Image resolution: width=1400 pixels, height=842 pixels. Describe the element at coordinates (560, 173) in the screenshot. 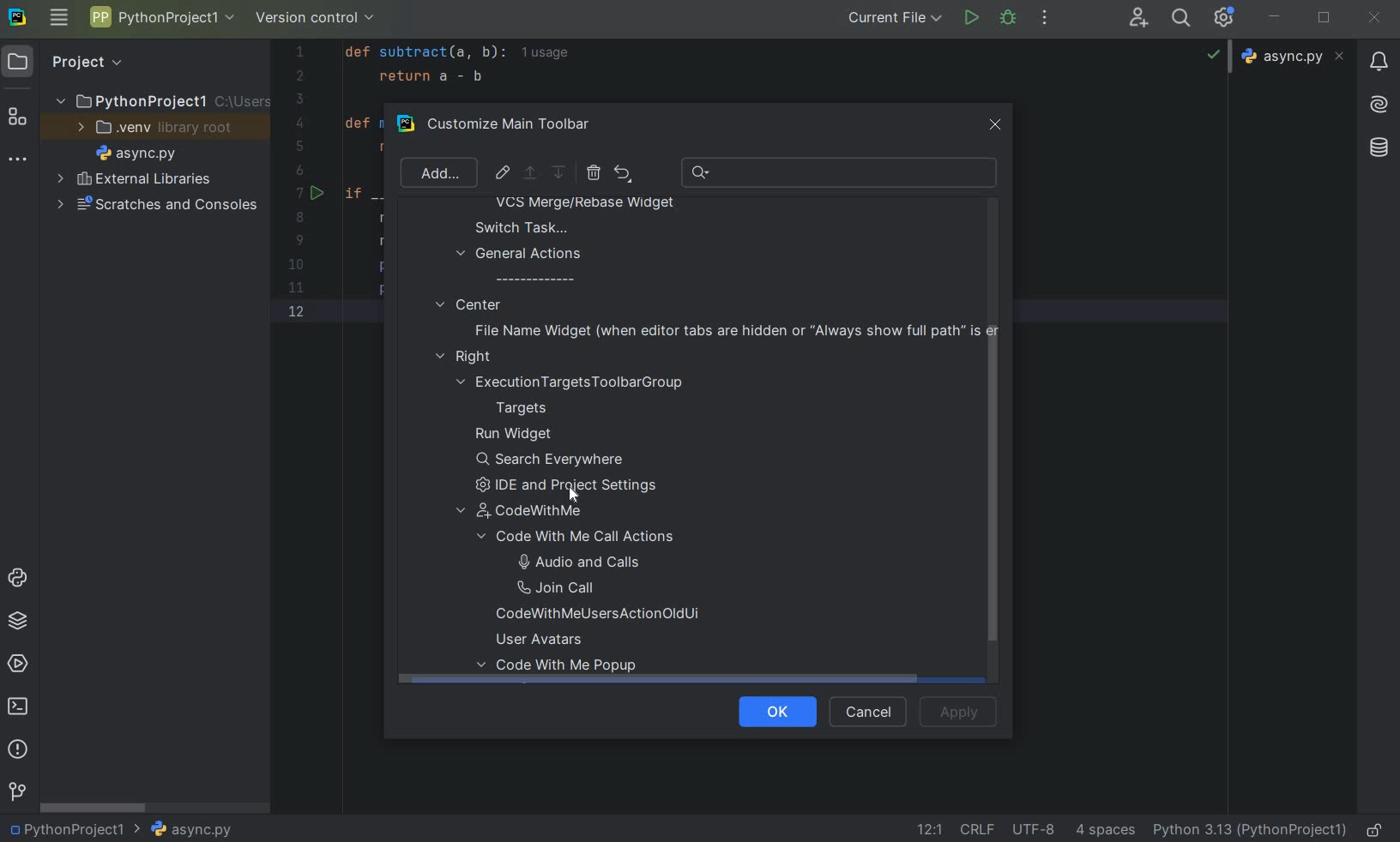

I see `MOVE DOWN` at that location.